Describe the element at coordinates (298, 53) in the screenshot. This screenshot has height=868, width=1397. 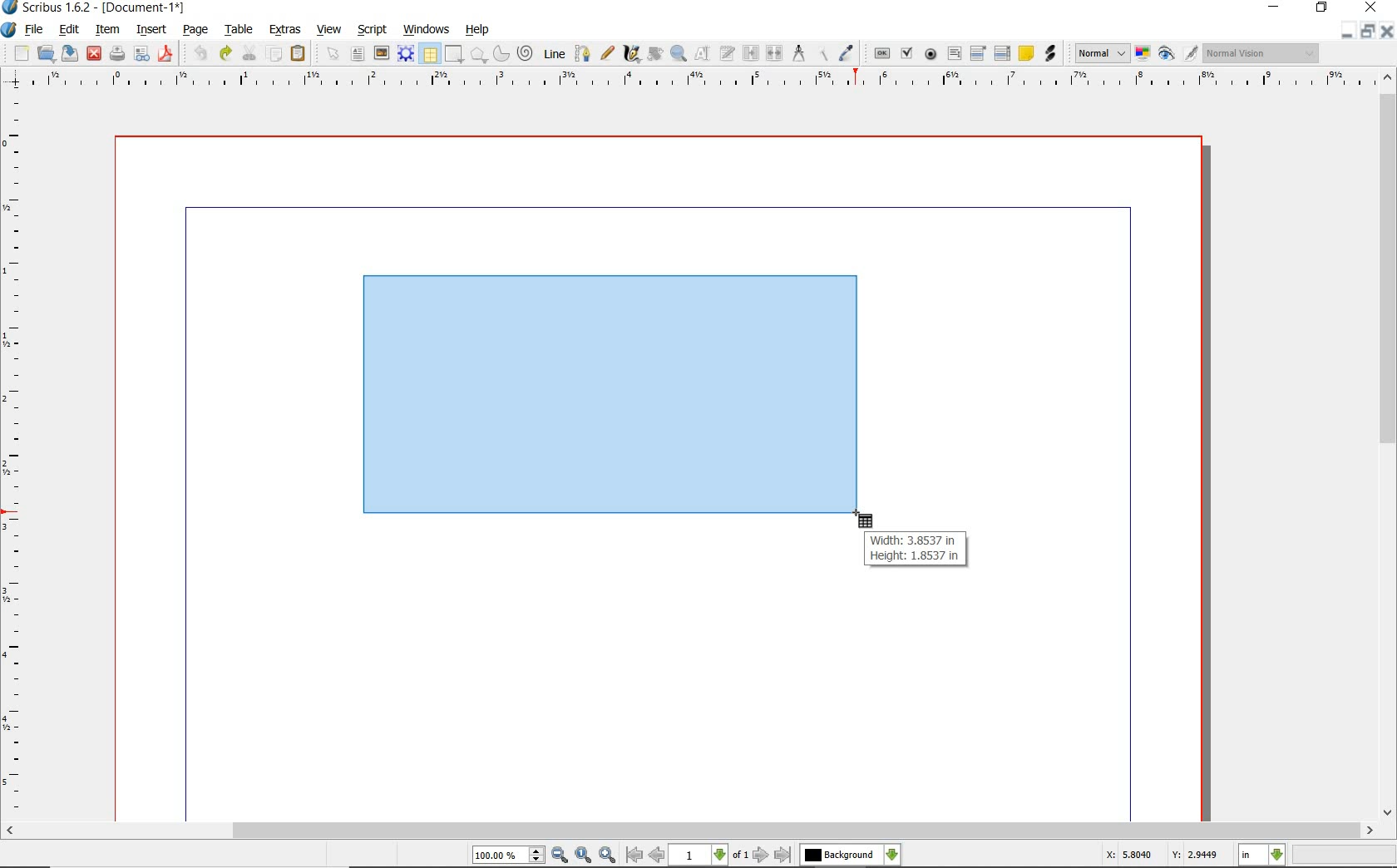
I see `paste` at that location.